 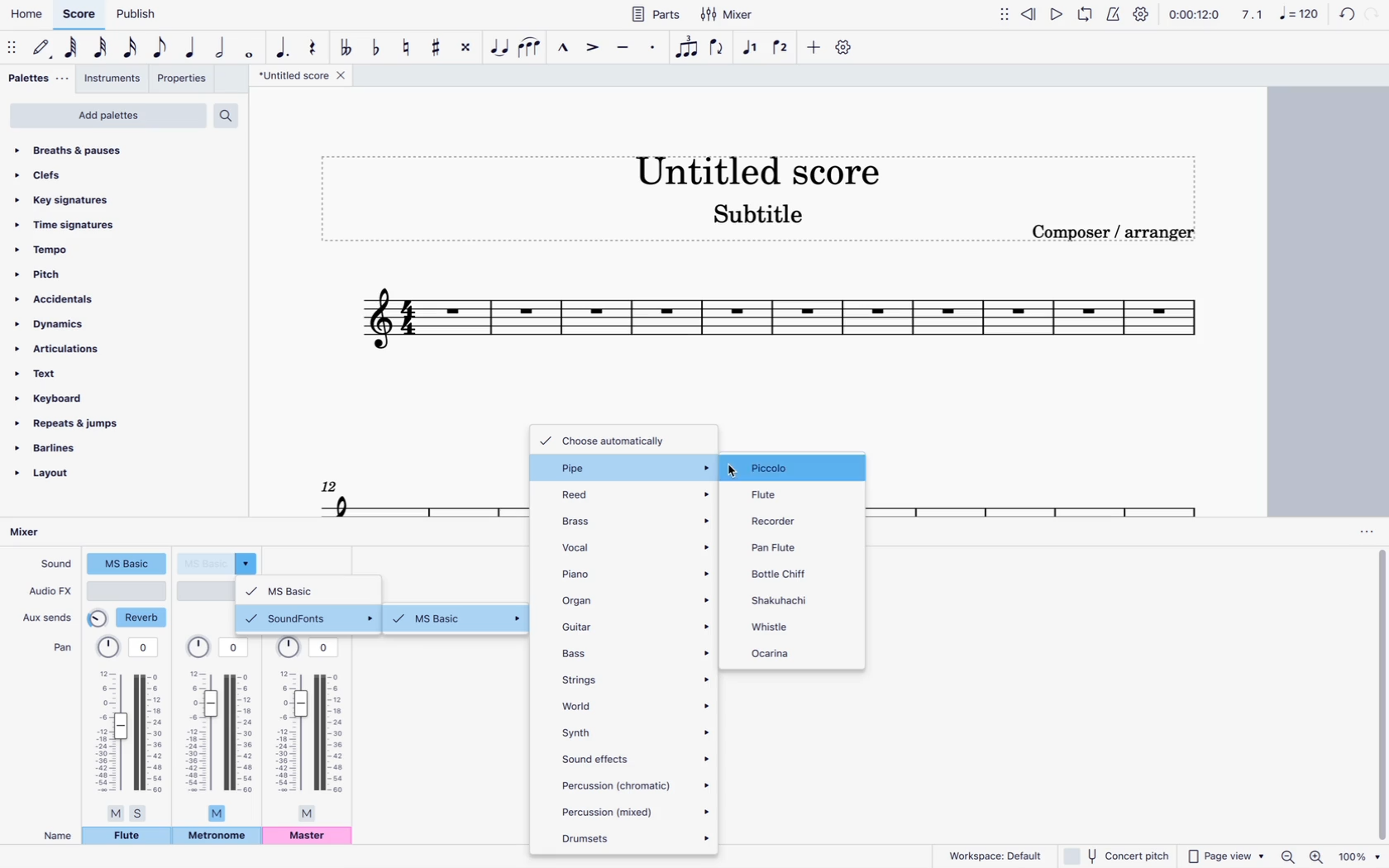 I want to click on flip direction, so click(x=719, y=50).